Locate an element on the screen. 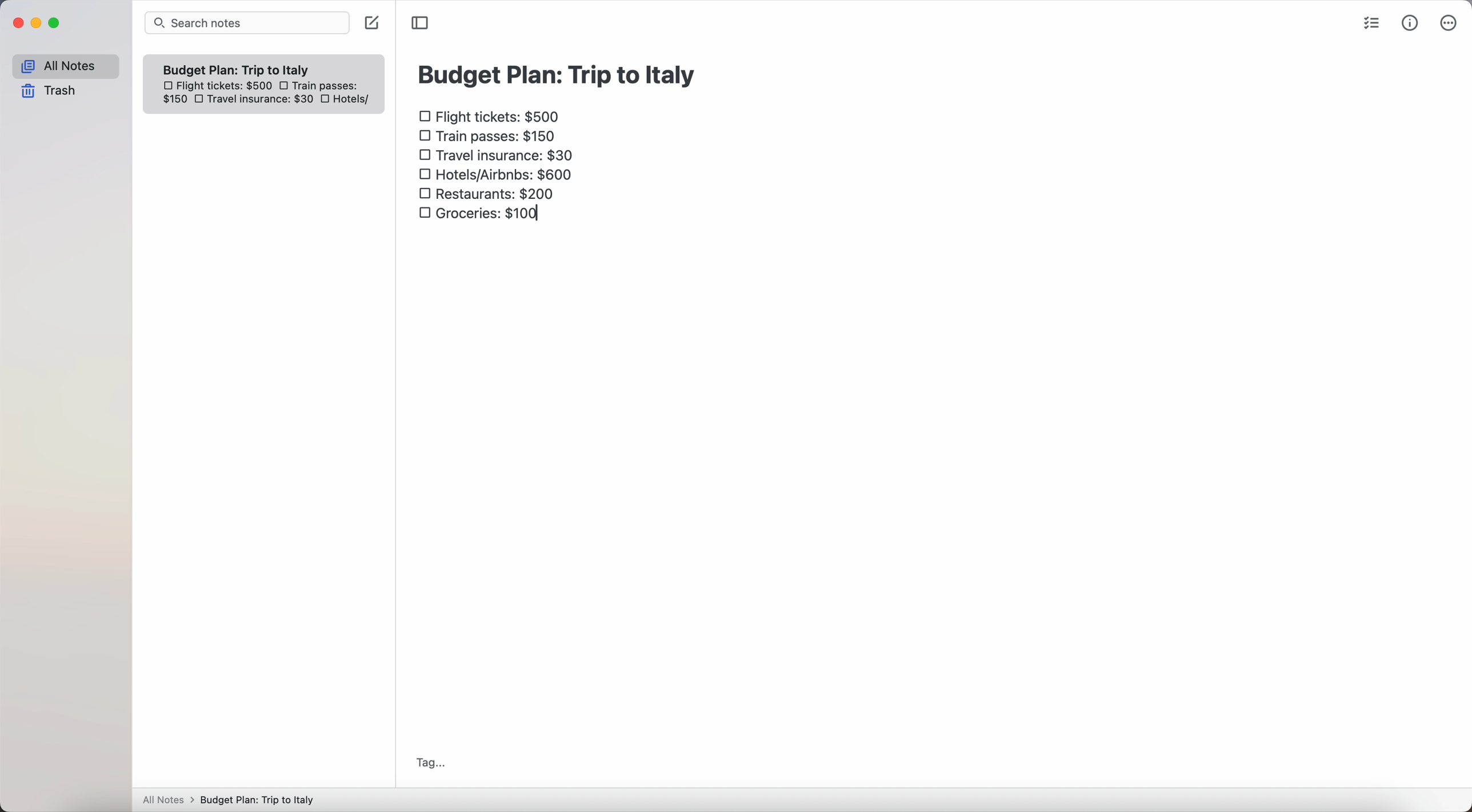  train passes is located at coordinates (326, 84).